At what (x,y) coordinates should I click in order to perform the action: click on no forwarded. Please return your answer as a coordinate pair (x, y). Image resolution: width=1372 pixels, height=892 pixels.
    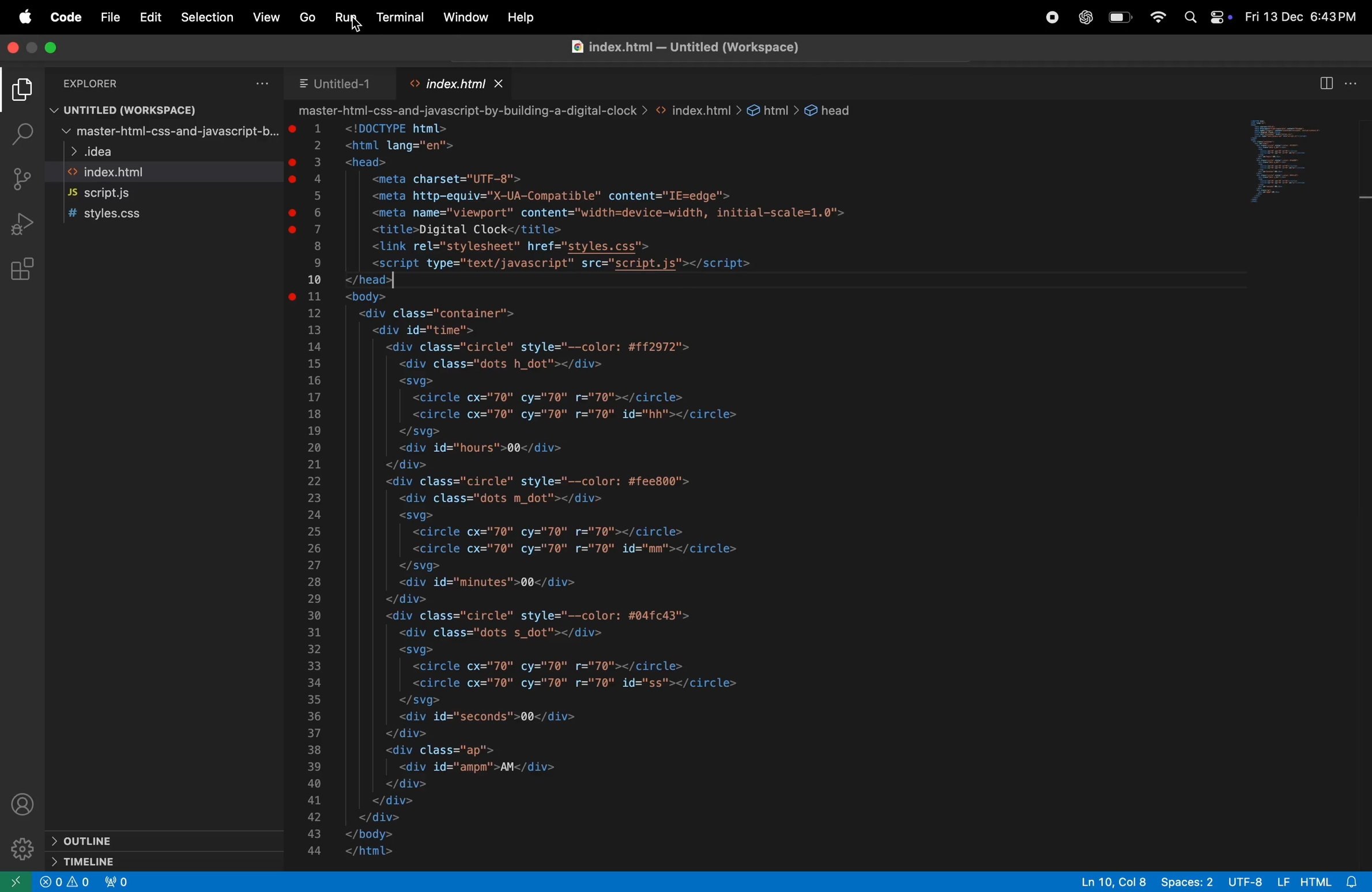
    Looking at the image, I should click on (119, 882).